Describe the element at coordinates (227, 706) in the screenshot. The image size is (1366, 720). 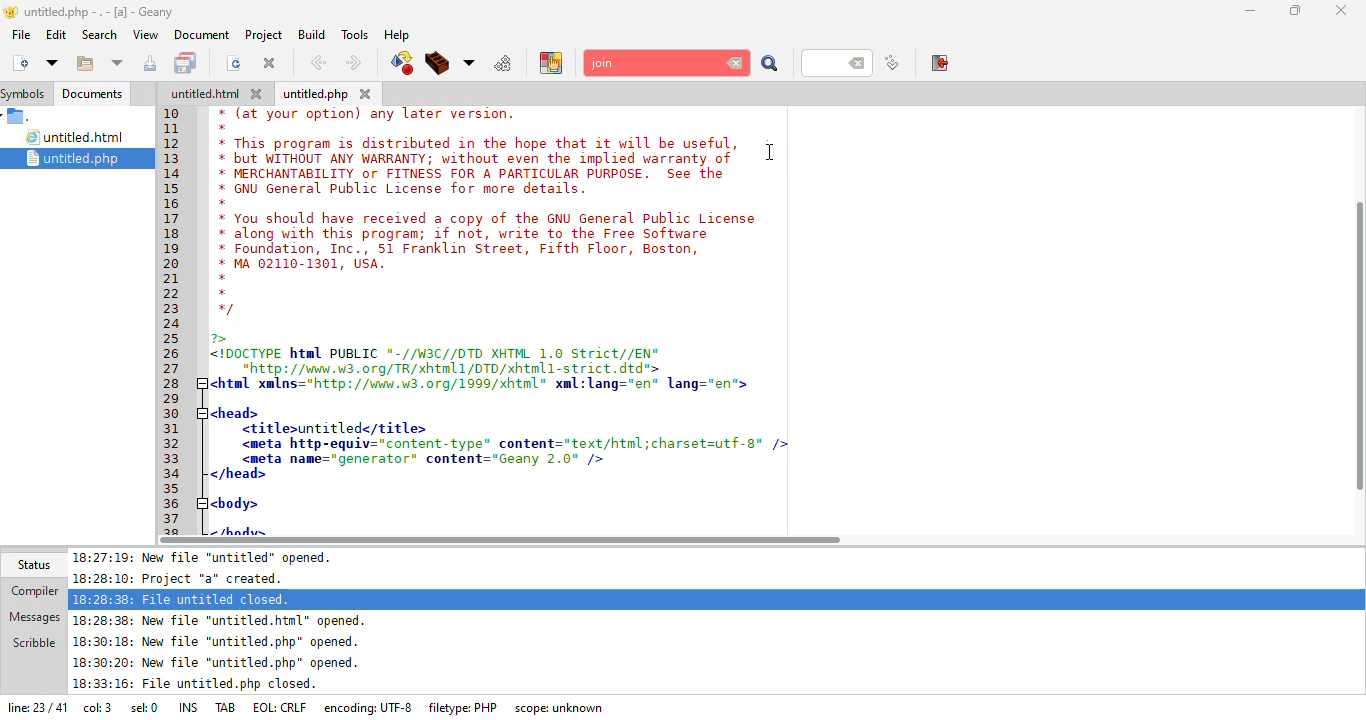
I see `tab` at that location.